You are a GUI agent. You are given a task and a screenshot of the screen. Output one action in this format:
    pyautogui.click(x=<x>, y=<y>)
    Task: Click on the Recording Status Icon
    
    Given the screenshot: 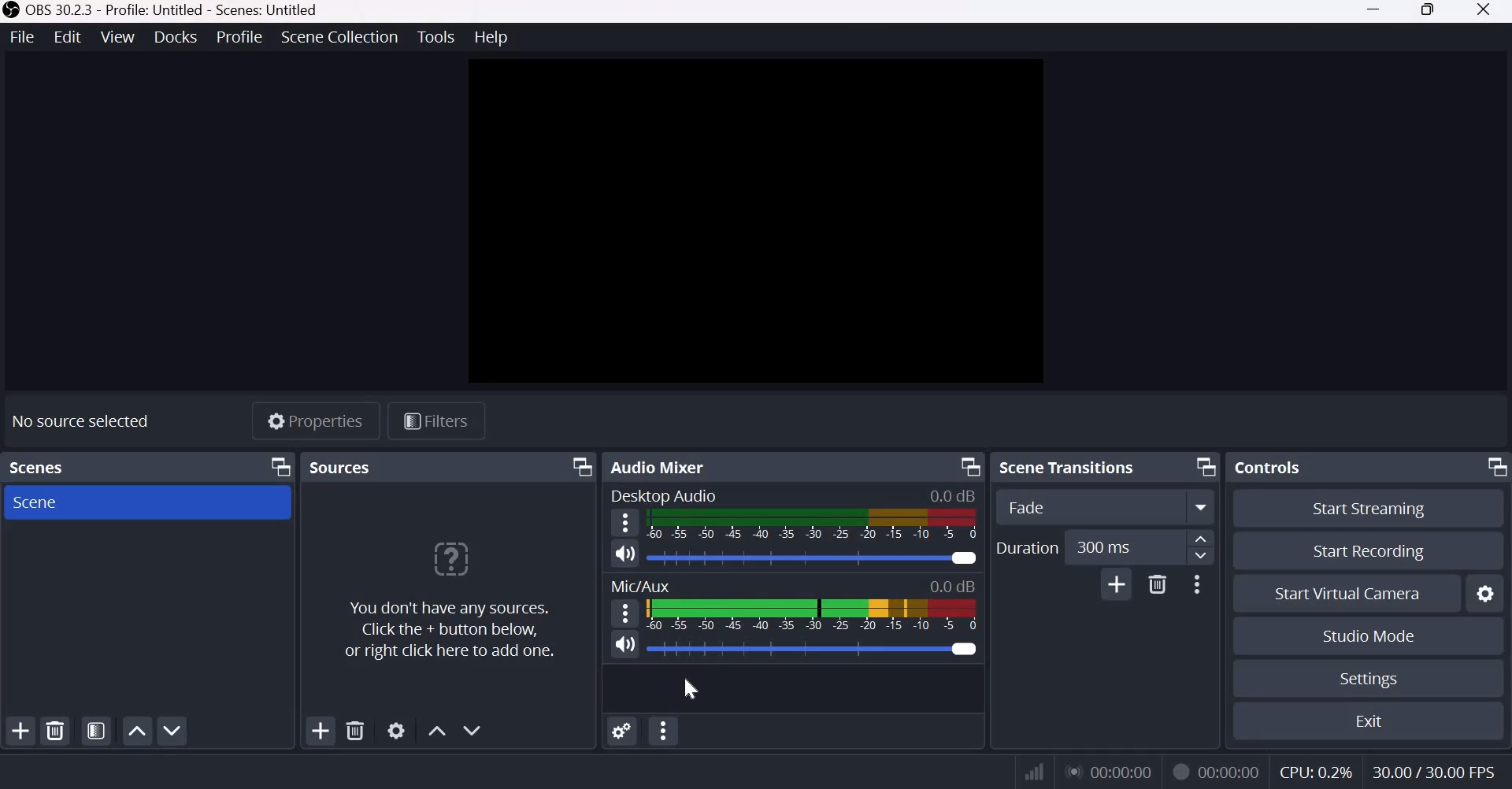 What is the action you would take?
    pyautogui.click(x=1180, y=772)
    